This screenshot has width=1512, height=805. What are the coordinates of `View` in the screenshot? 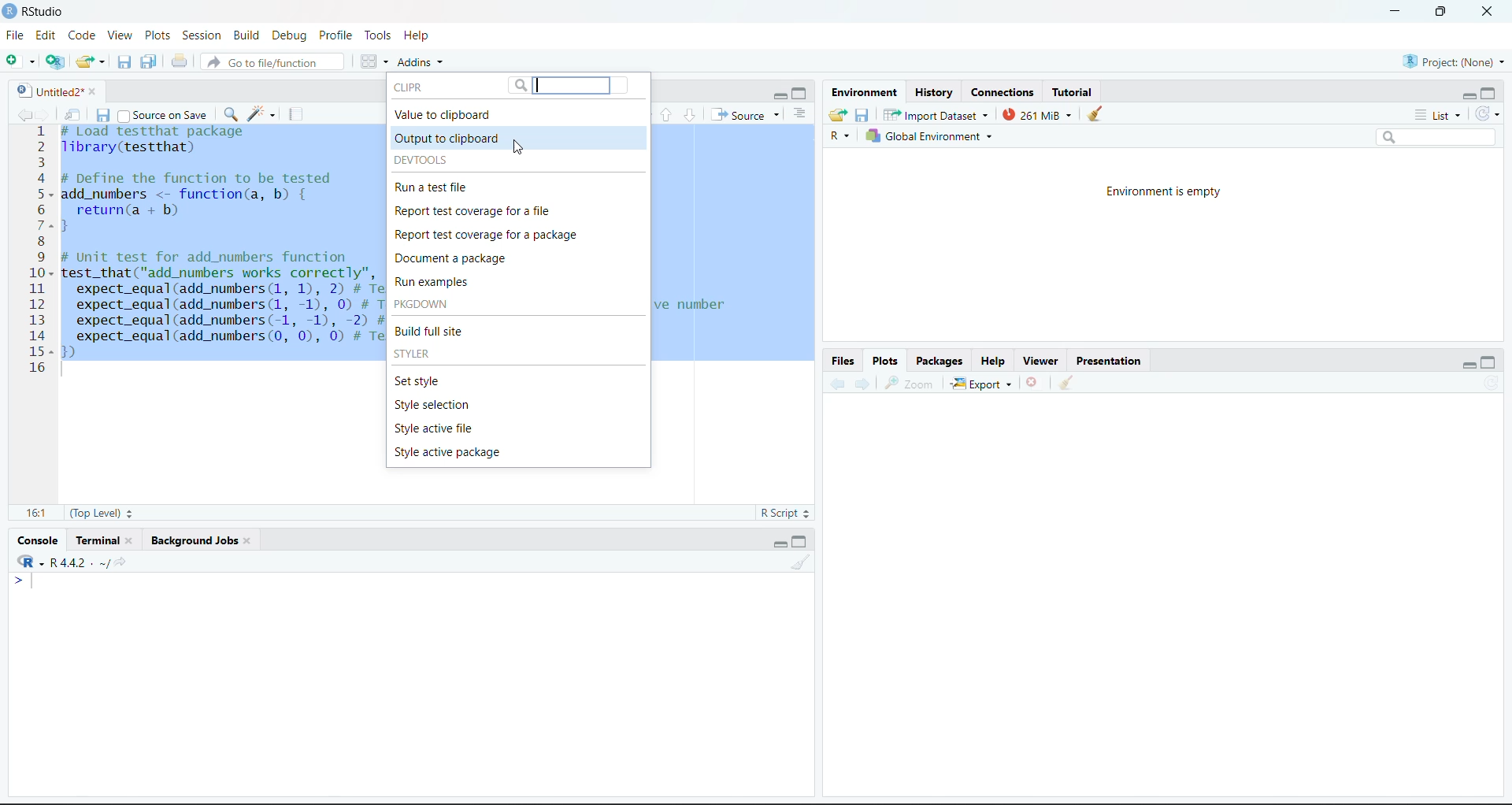 It's located at (119, 35).